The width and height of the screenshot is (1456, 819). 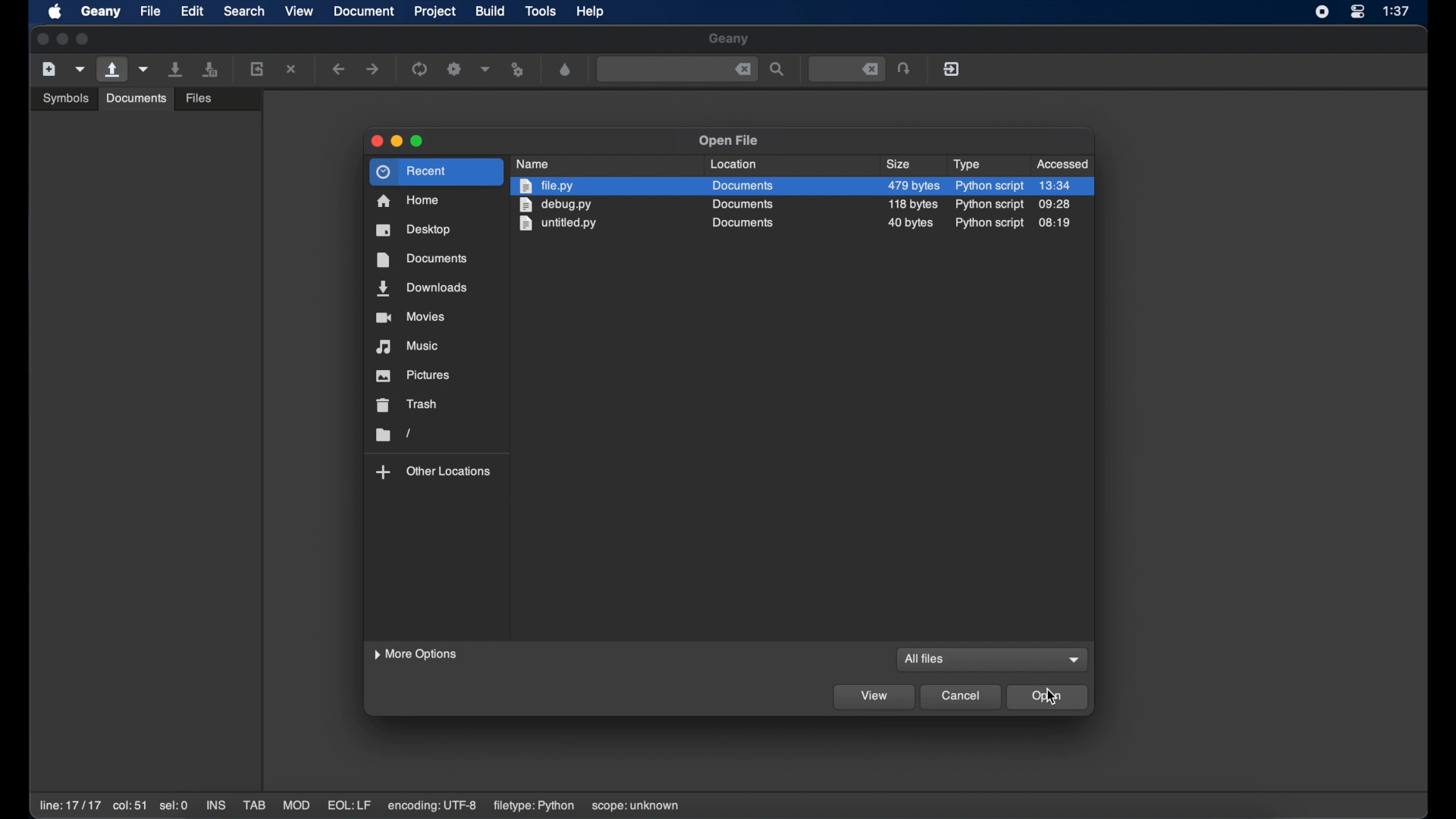 What do you see at coordinates (100, 11) in the screenshot?
I see `geany` at bounding box center [100, 11].